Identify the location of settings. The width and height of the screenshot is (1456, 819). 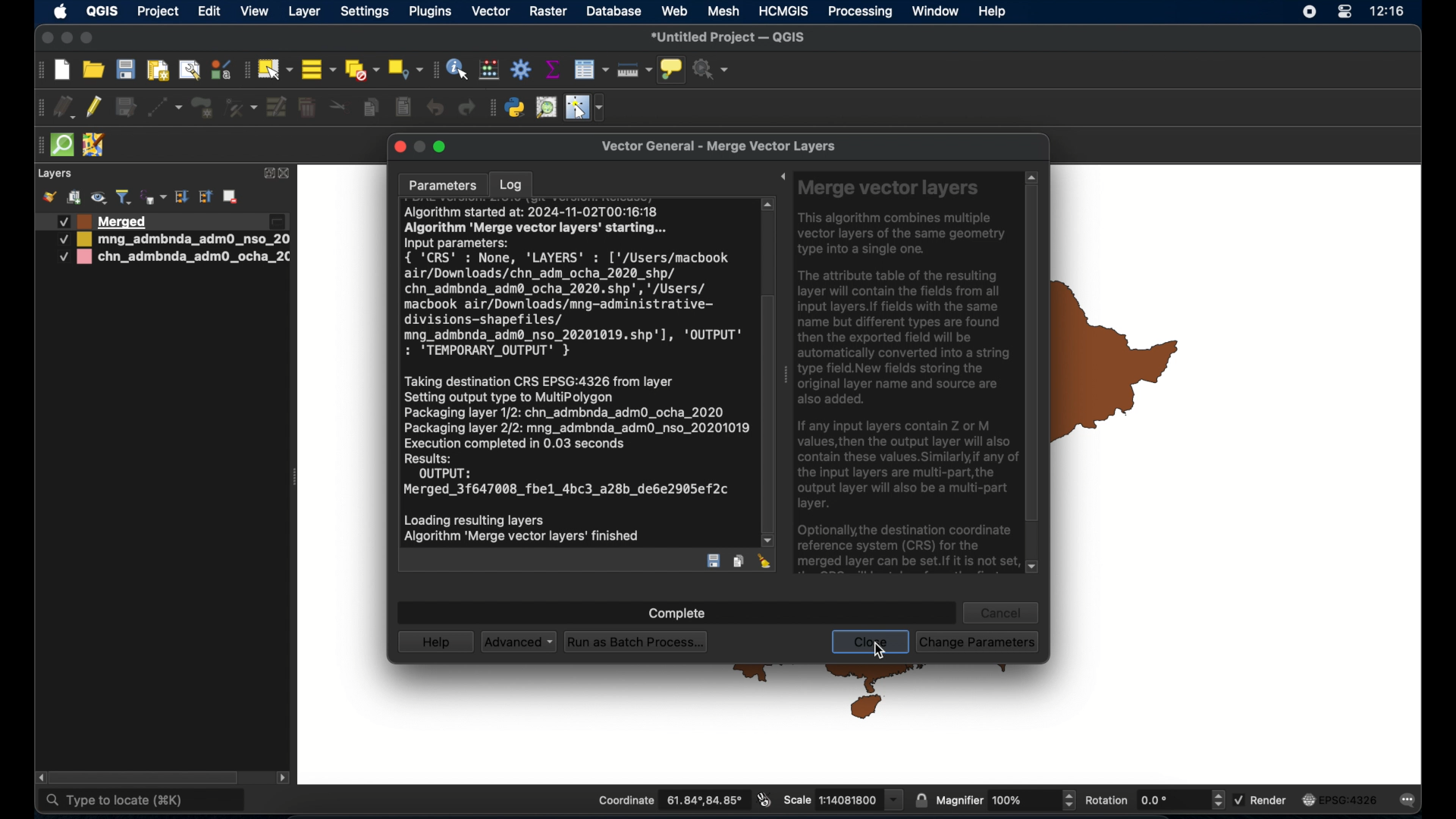
(366, 13).